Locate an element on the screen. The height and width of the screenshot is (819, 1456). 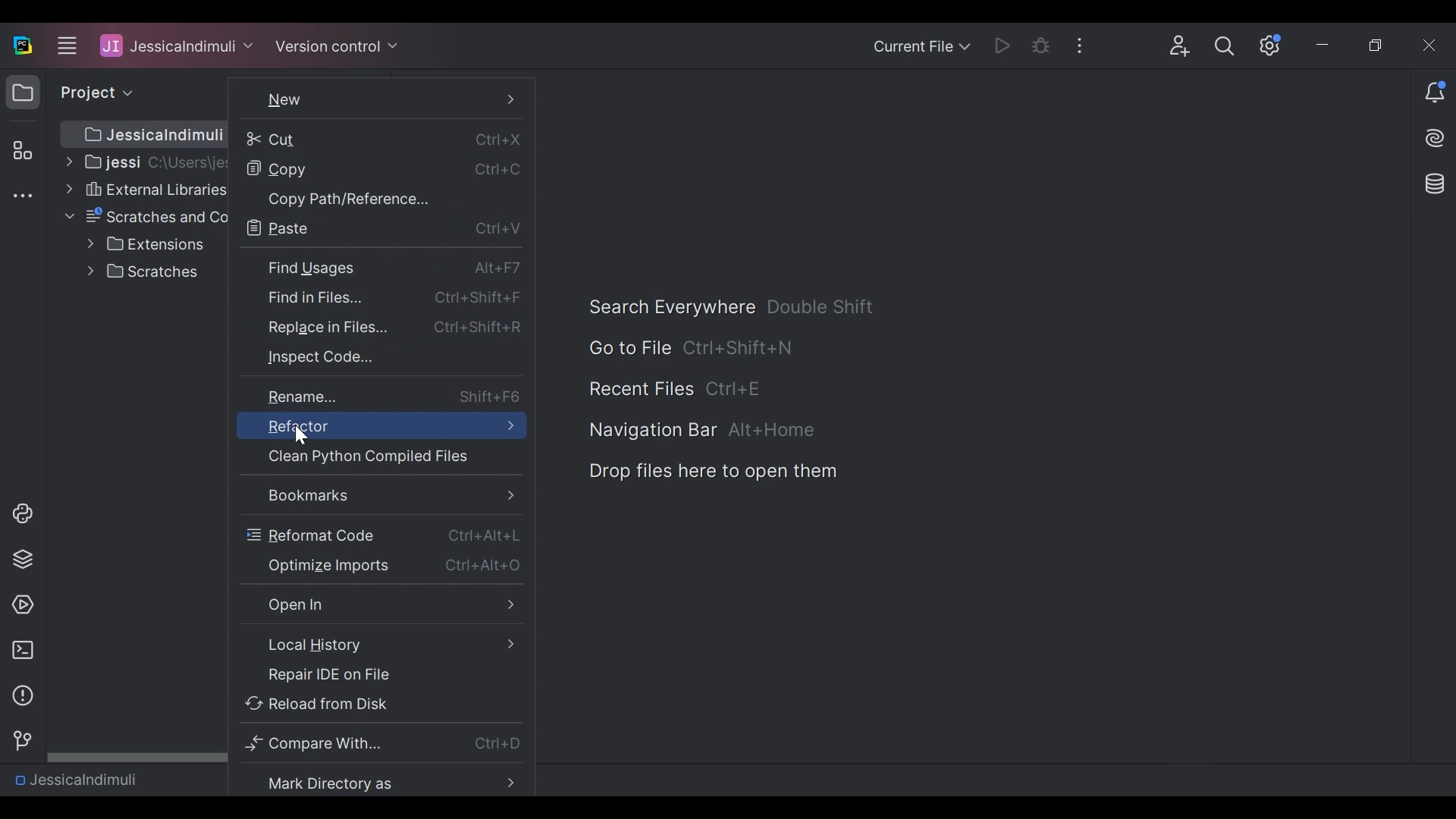
Project Directory is located at coordinates (143, 161).